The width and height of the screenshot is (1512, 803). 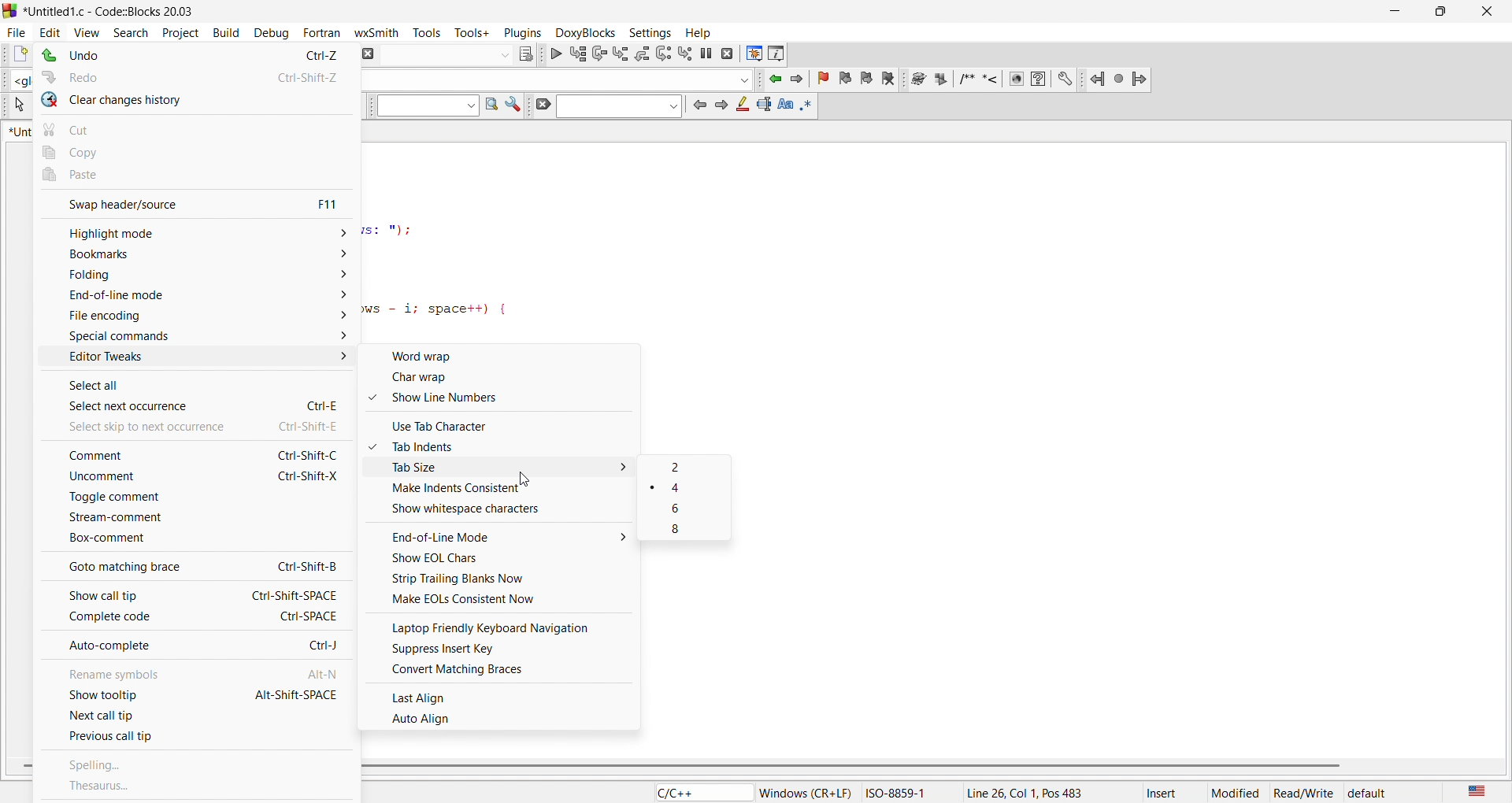 I want to click on search bar, so click(x=618, y=108).